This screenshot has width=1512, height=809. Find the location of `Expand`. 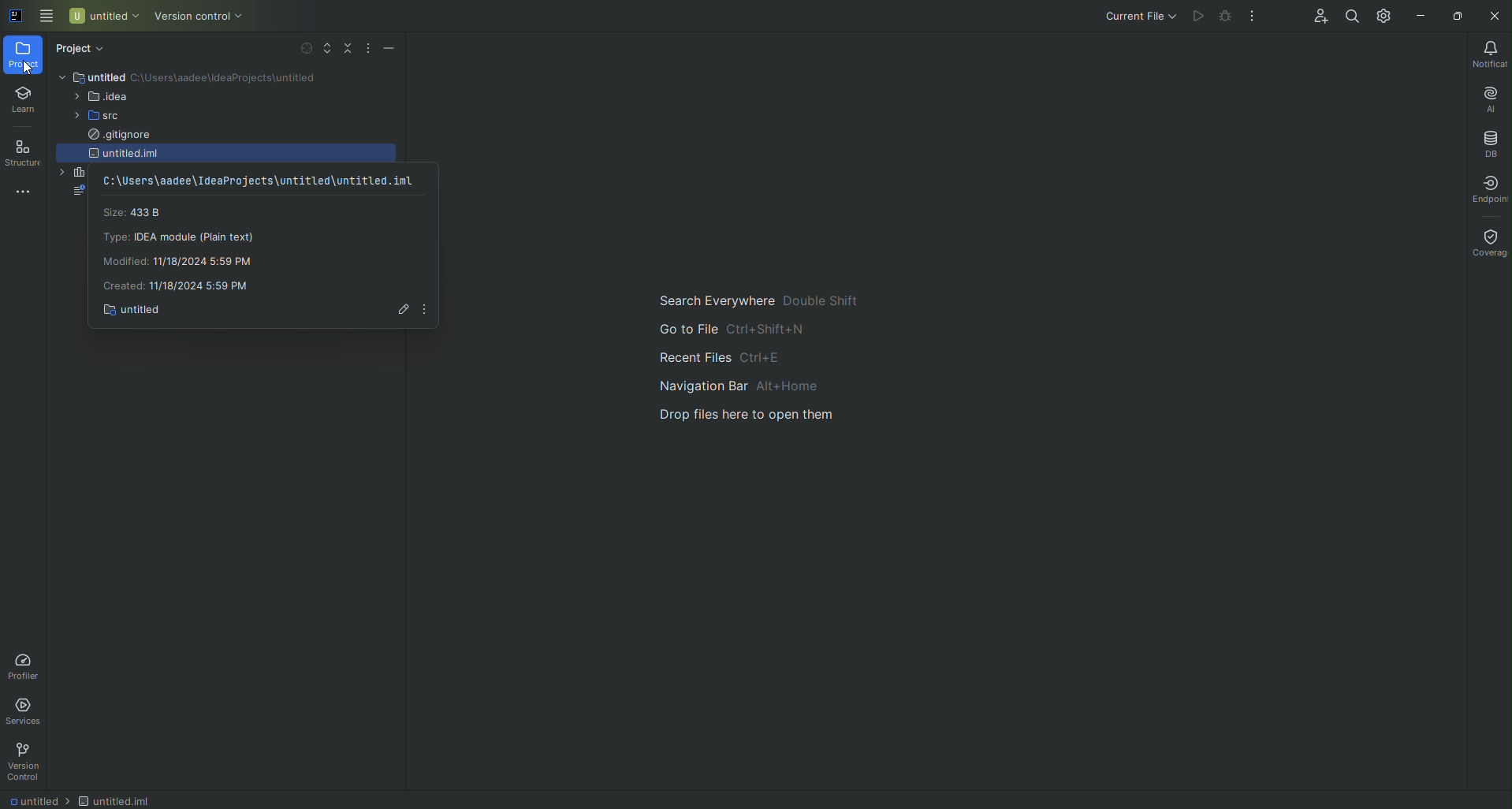

Expand is located at coordinates (322, 50).